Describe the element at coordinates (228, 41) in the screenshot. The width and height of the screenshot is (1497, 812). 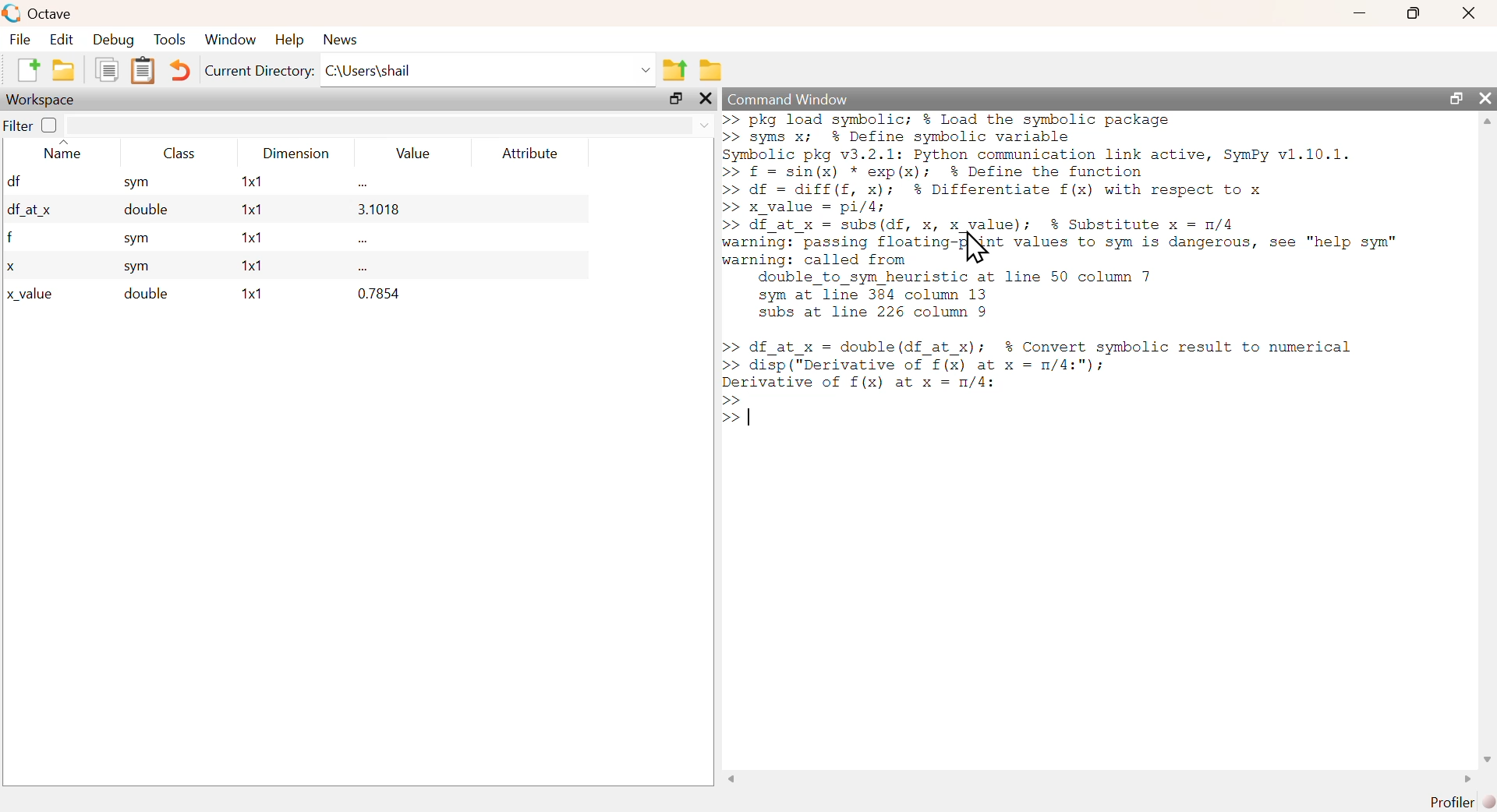
I see `‘Window` at that location.